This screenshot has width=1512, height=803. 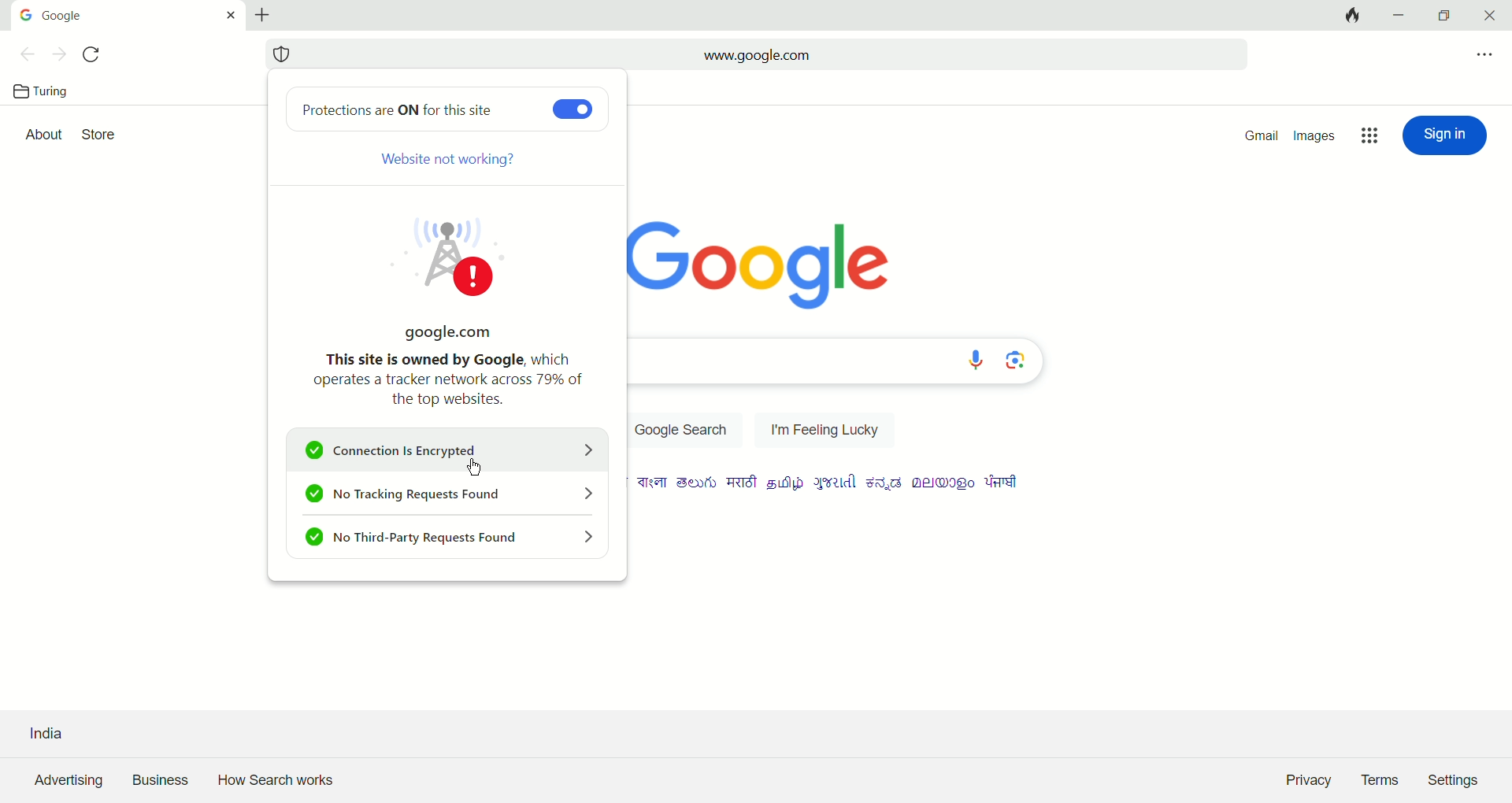 What do you see at coordinates (1443, 135) in the screenshot?
I see `sign in` at bounding box center [1443, 135].